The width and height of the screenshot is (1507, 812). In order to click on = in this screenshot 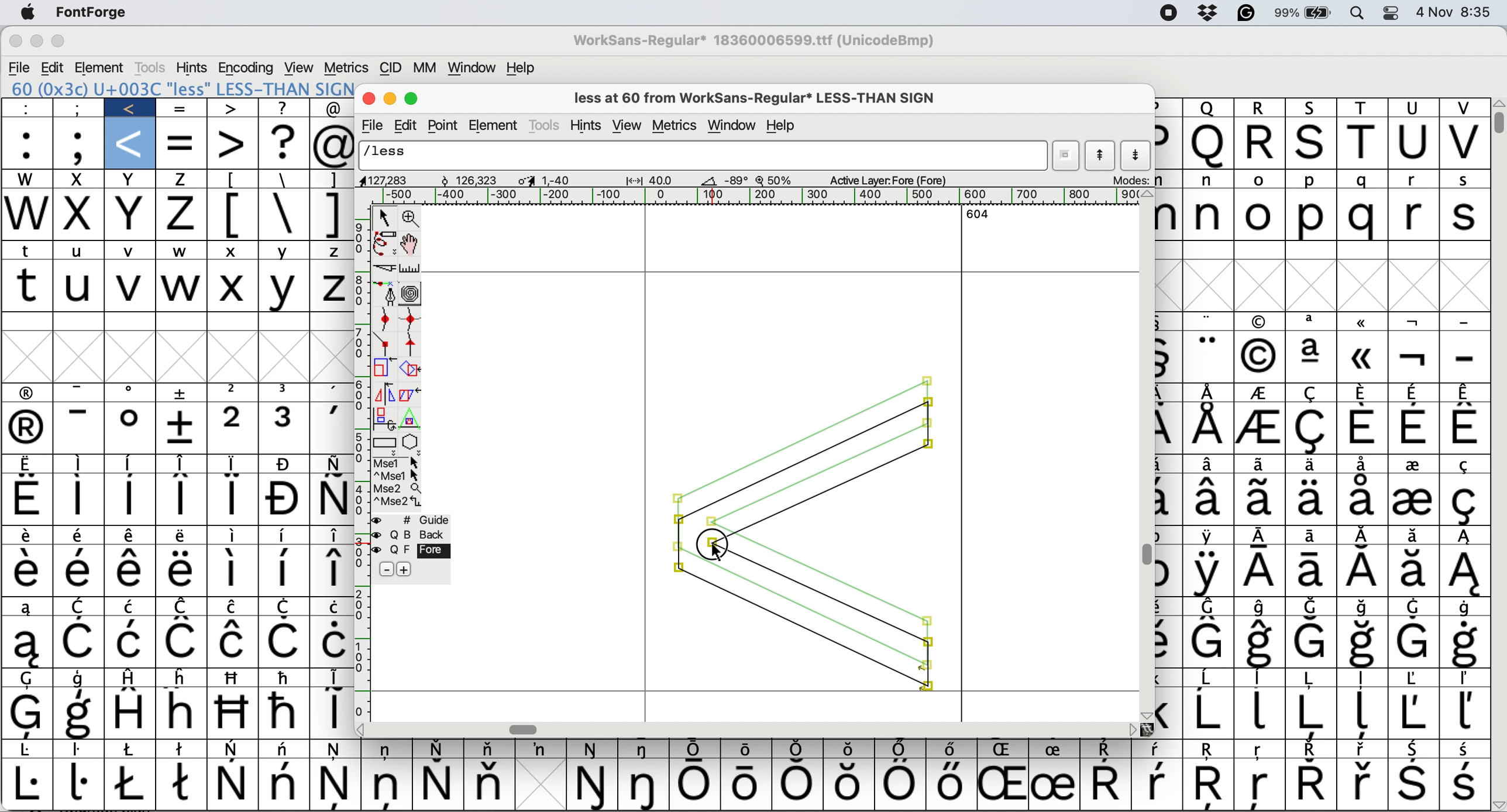, I will do `click(183, 142)`.